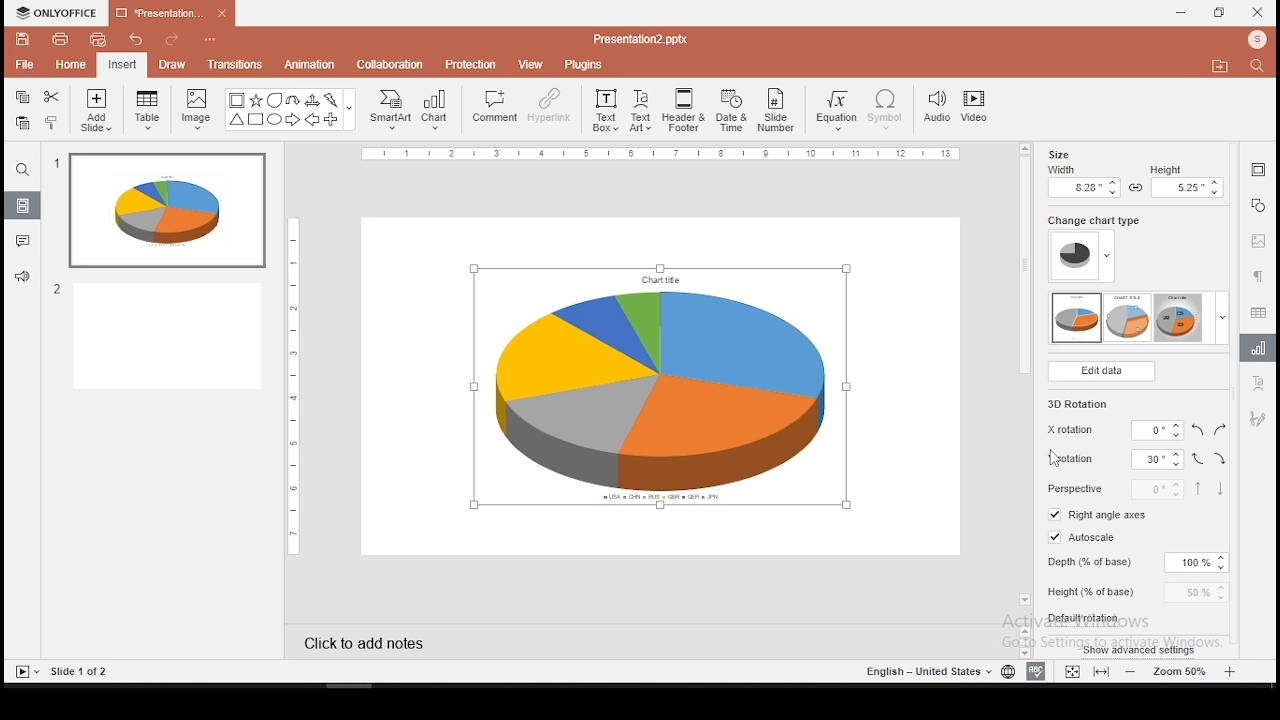 The width and height of the screenshot is (1280, 720). What do you see at coordinates (1082, 181) in the screenshot?
I see `width` at bounding box center [1082, 181].